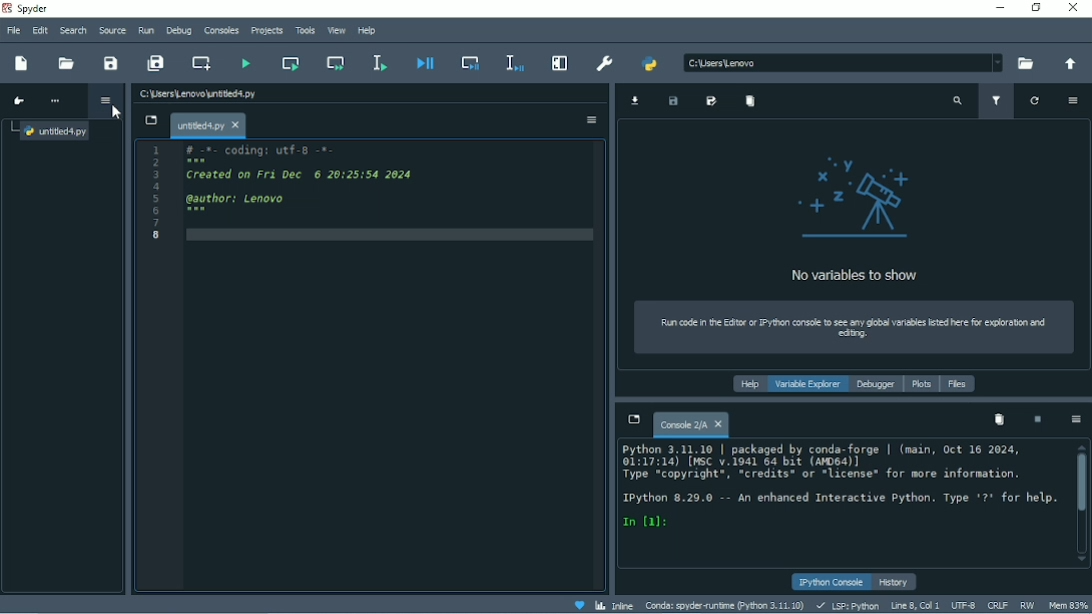 Image resolution: width=1092 pixels, height=614 pixels. Describe the element at coordinates (514, 62) in the screenshot. I see `Debug selection or current line` at that location.